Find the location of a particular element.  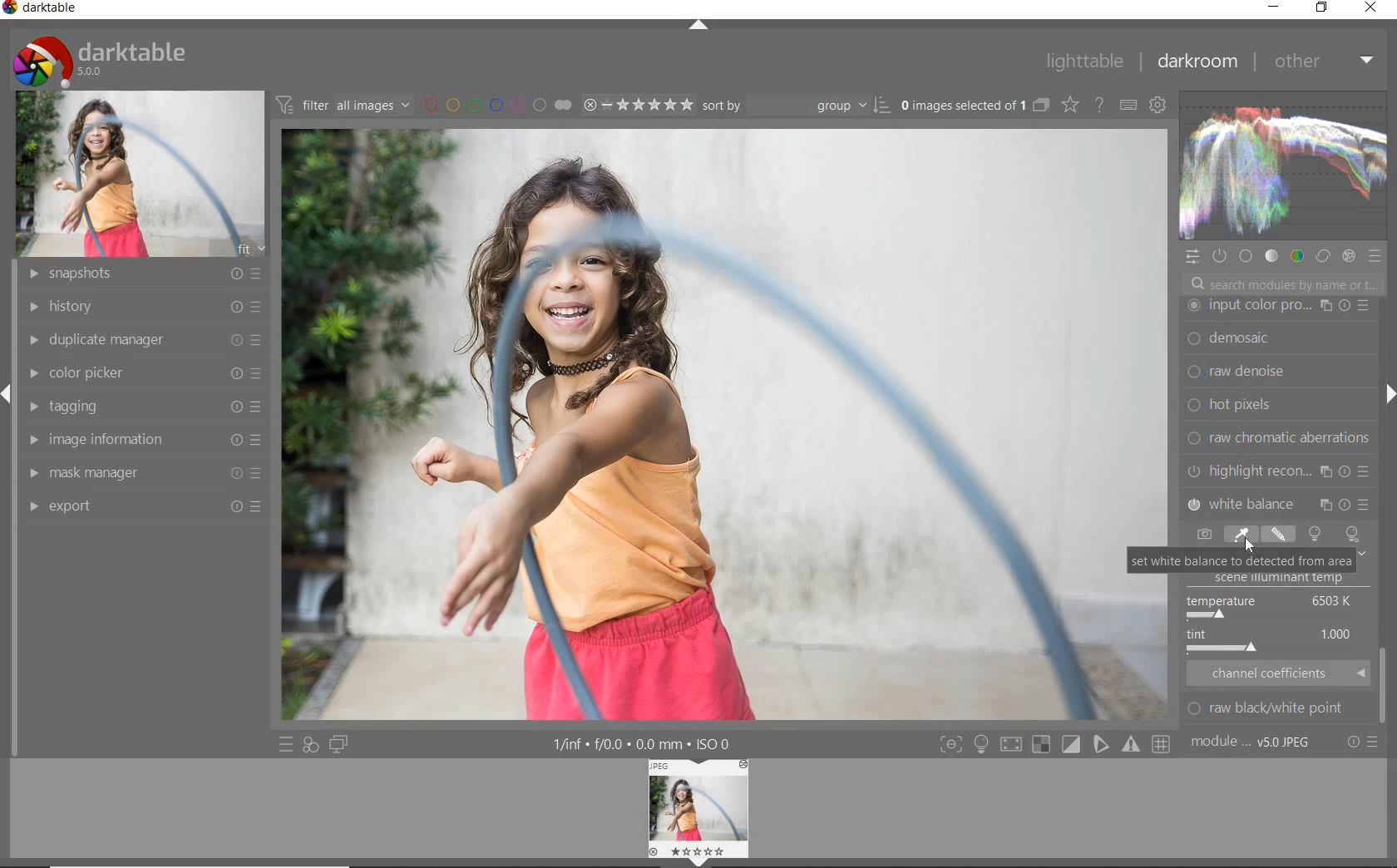

color is located at coordinates (1296, 255).